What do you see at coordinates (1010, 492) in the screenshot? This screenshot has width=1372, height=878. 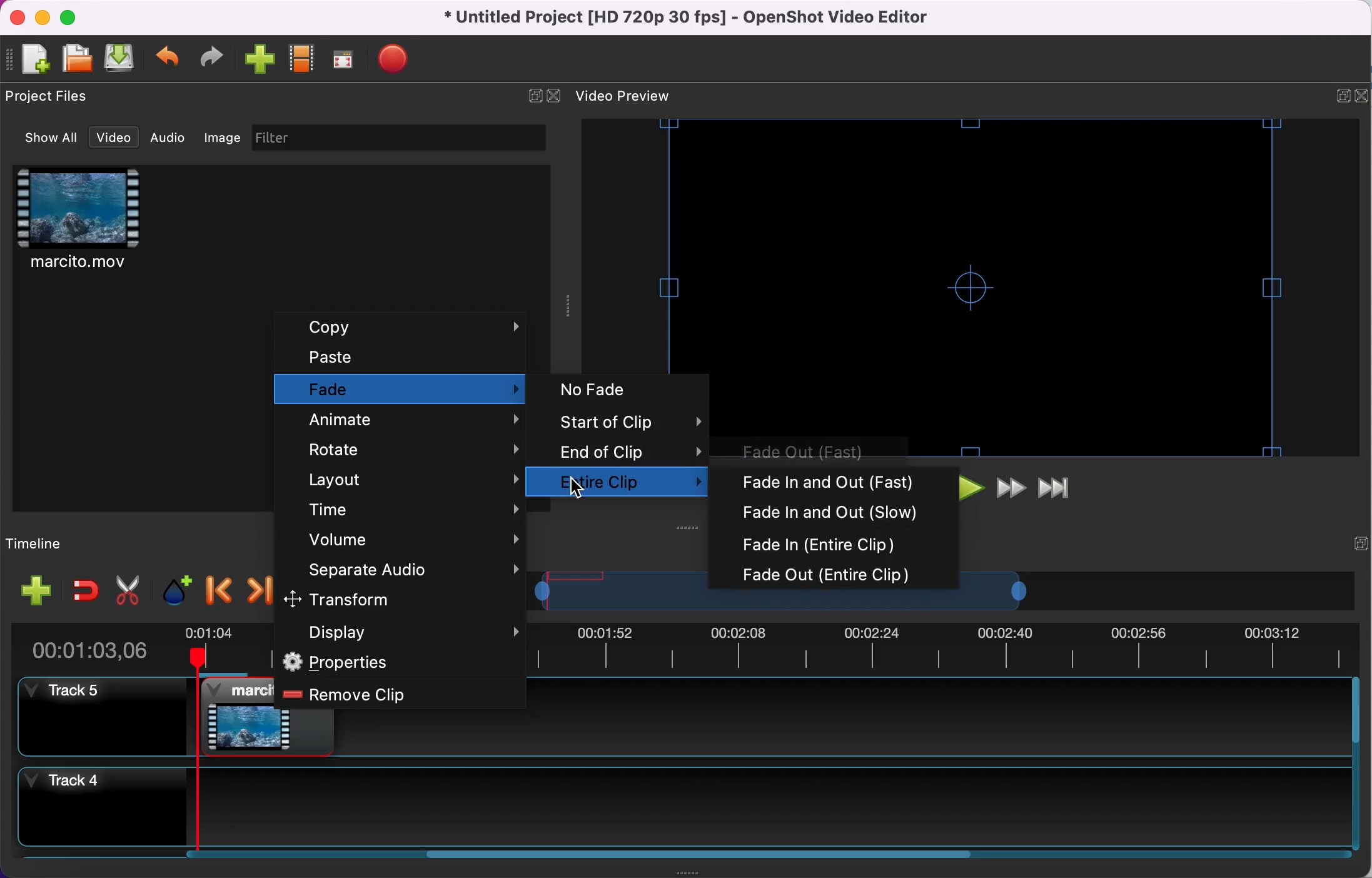 I see `fast forward` at bounding box center [1010, 492].